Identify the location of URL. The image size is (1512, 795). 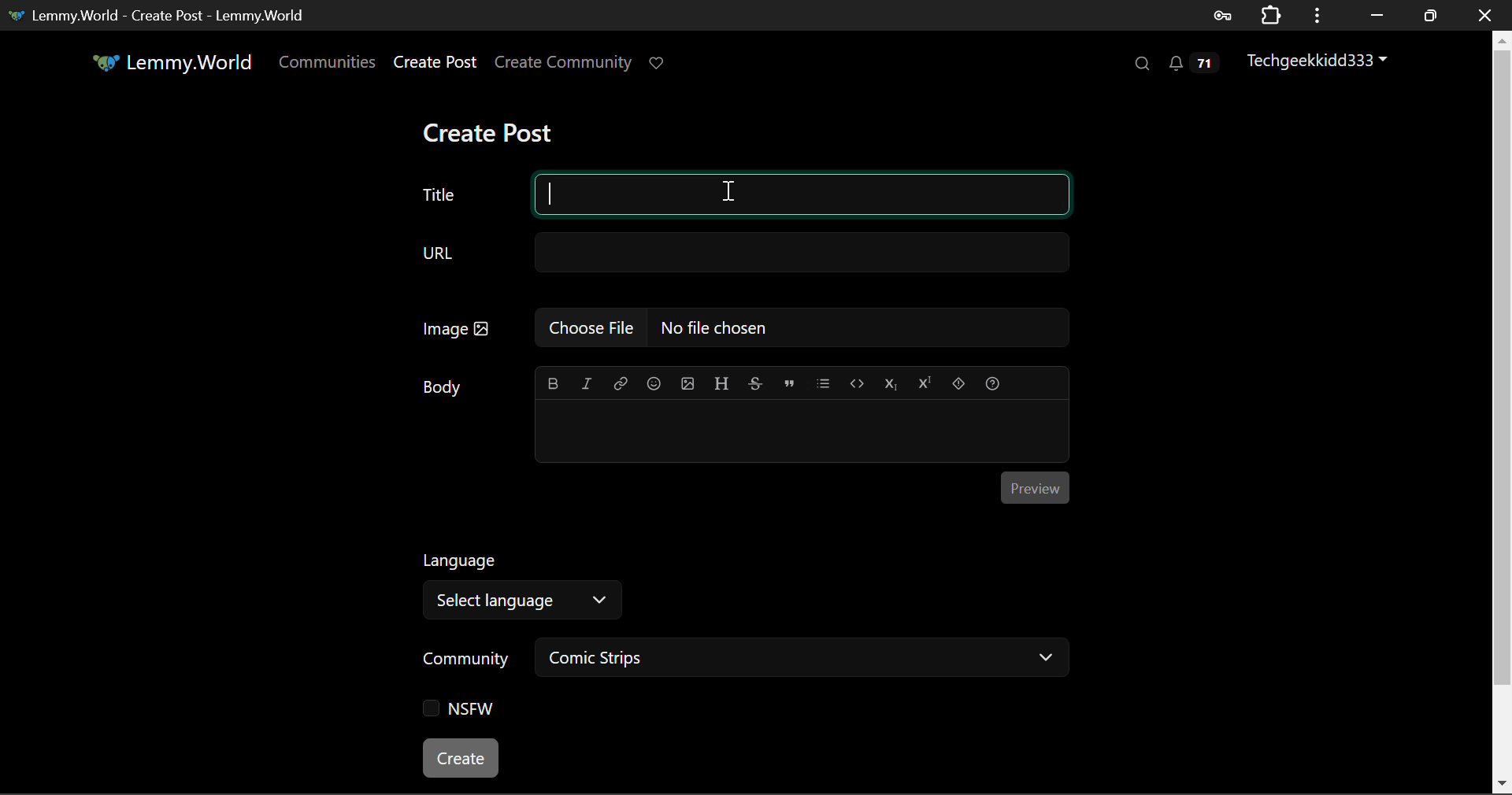
(743, 253).